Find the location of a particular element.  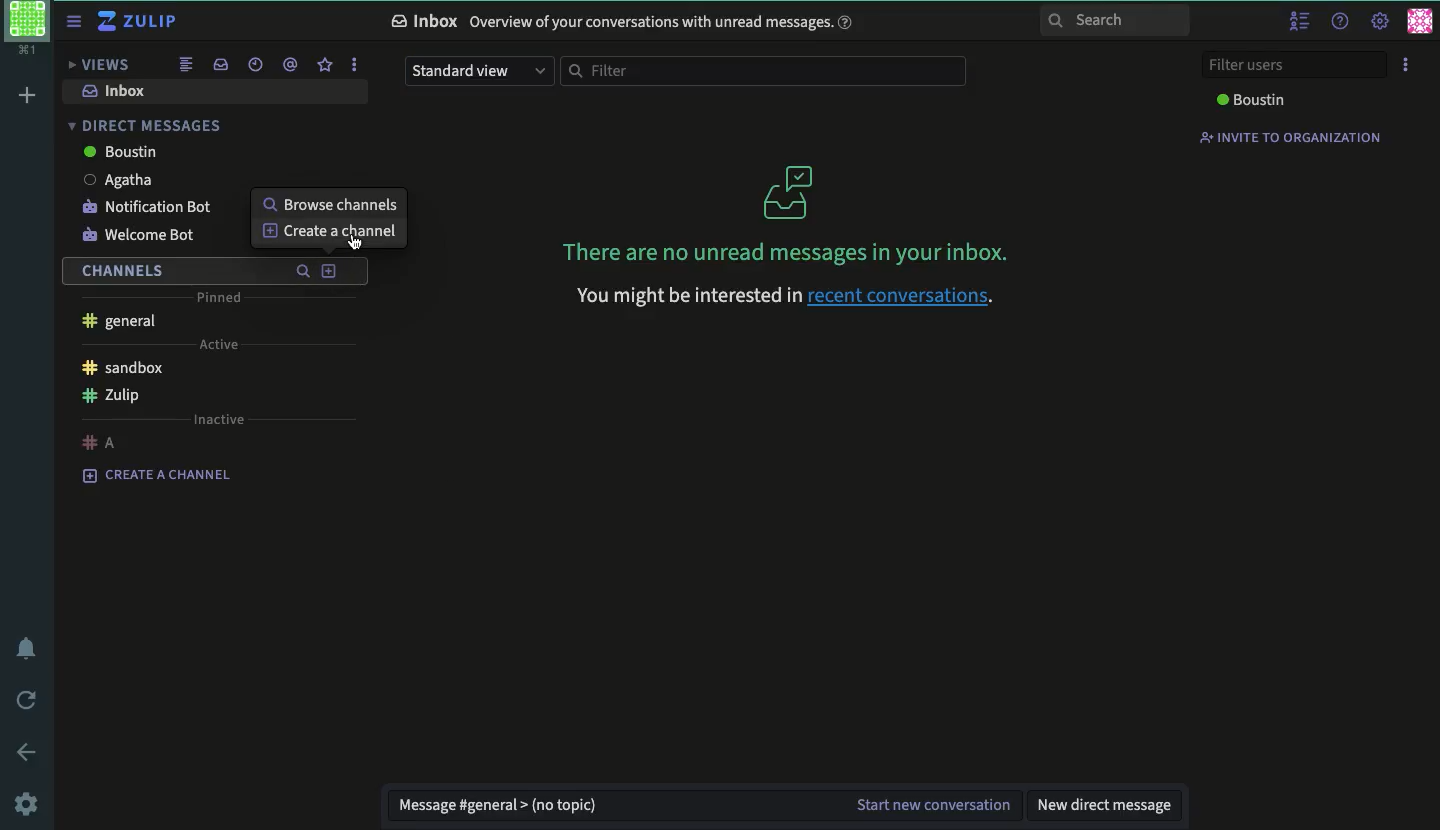

sidebar is located at coordinates (75, 23).